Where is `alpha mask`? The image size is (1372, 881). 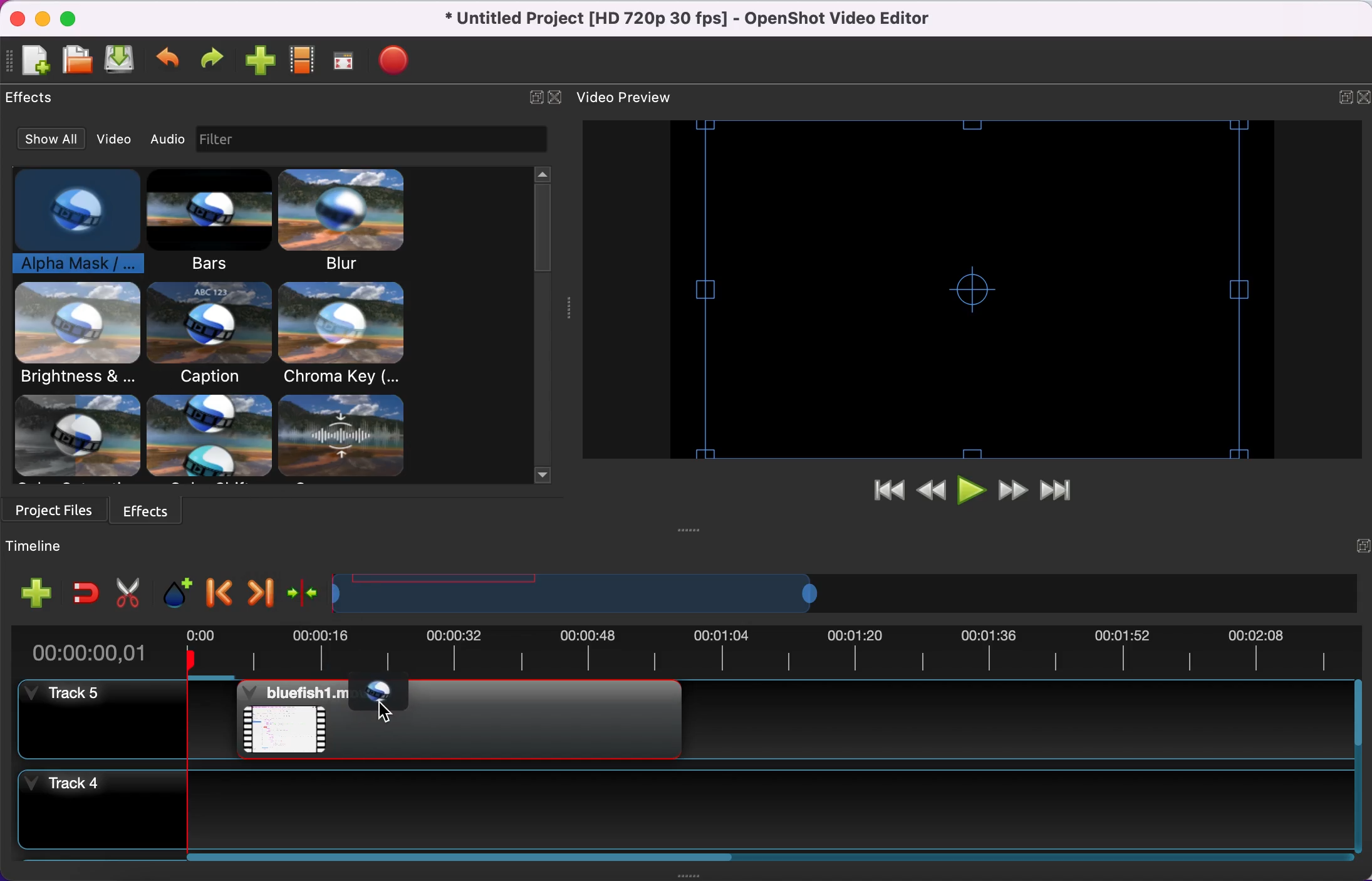
alpha mask is located at coordinates (67, 223).